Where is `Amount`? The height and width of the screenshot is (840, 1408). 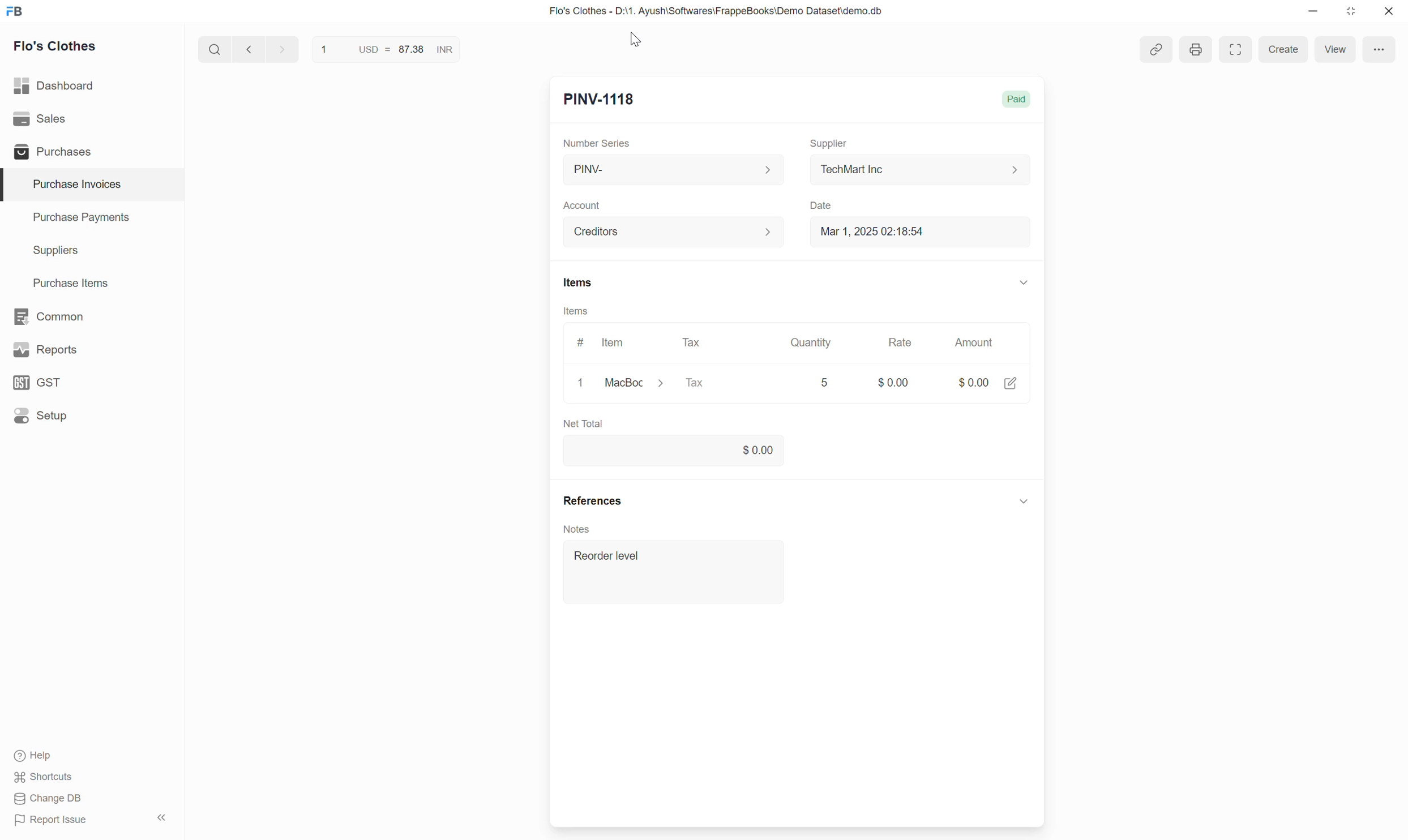 Amount is located at coordinates (978, 342).